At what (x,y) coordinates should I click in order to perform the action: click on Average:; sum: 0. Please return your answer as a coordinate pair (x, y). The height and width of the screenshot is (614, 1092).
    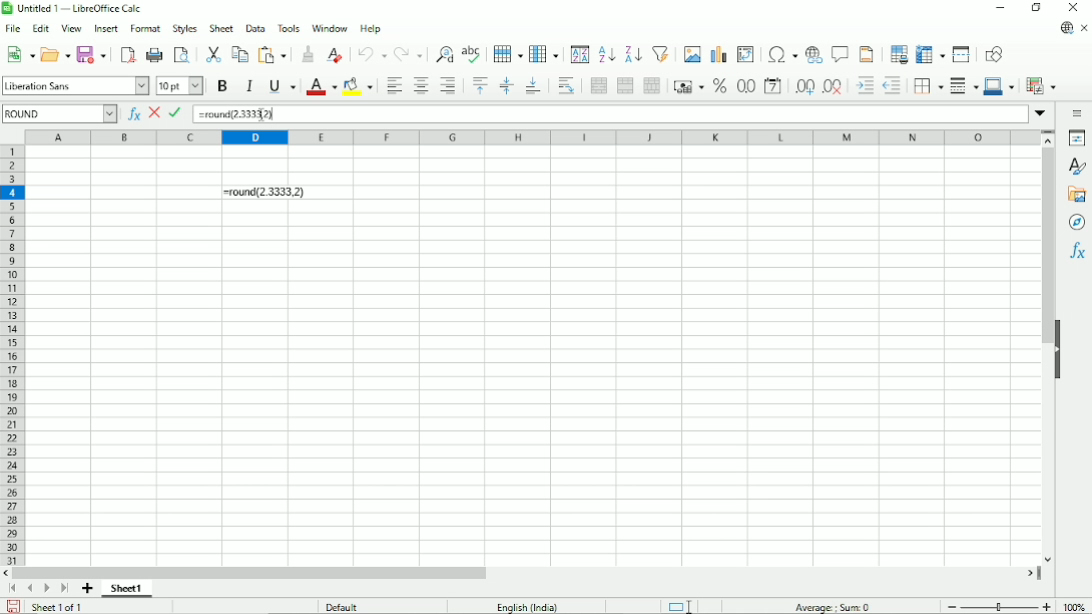
    Looking at the image, I should click on (832, 606).